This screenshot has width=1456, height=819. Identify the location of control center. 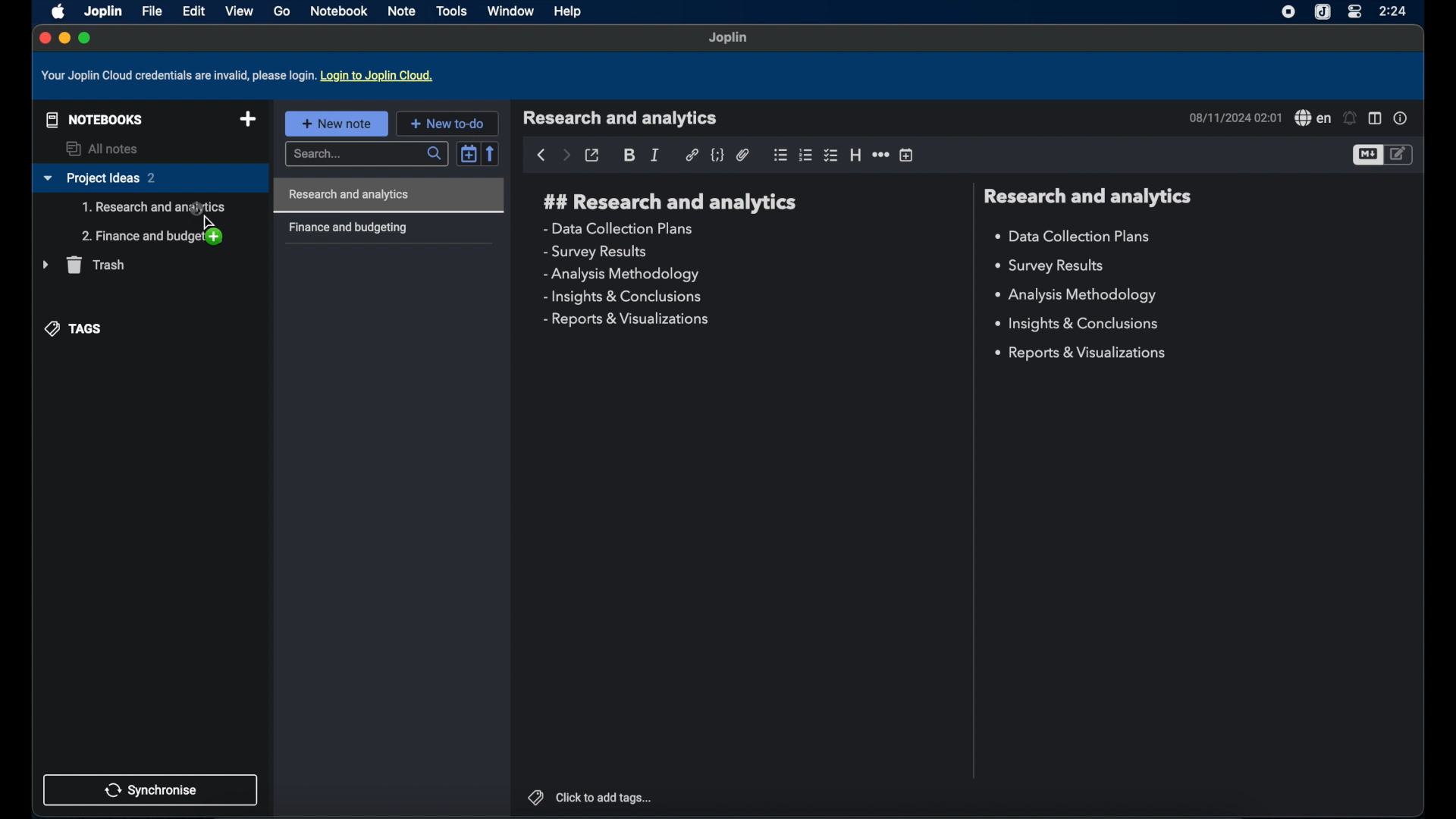
(1354, 12).